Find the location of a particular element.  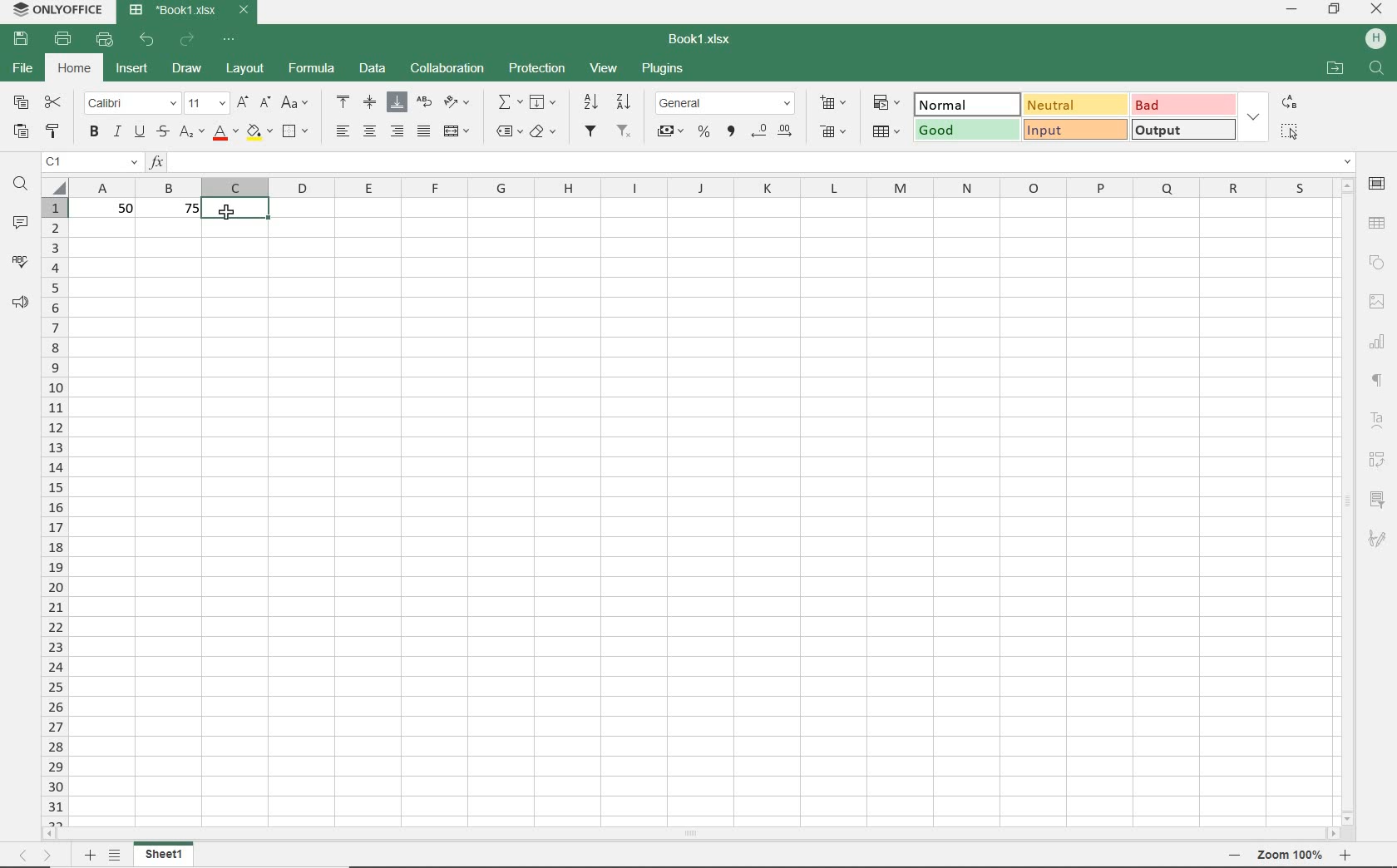

font size is located at coordinates (206, 104).